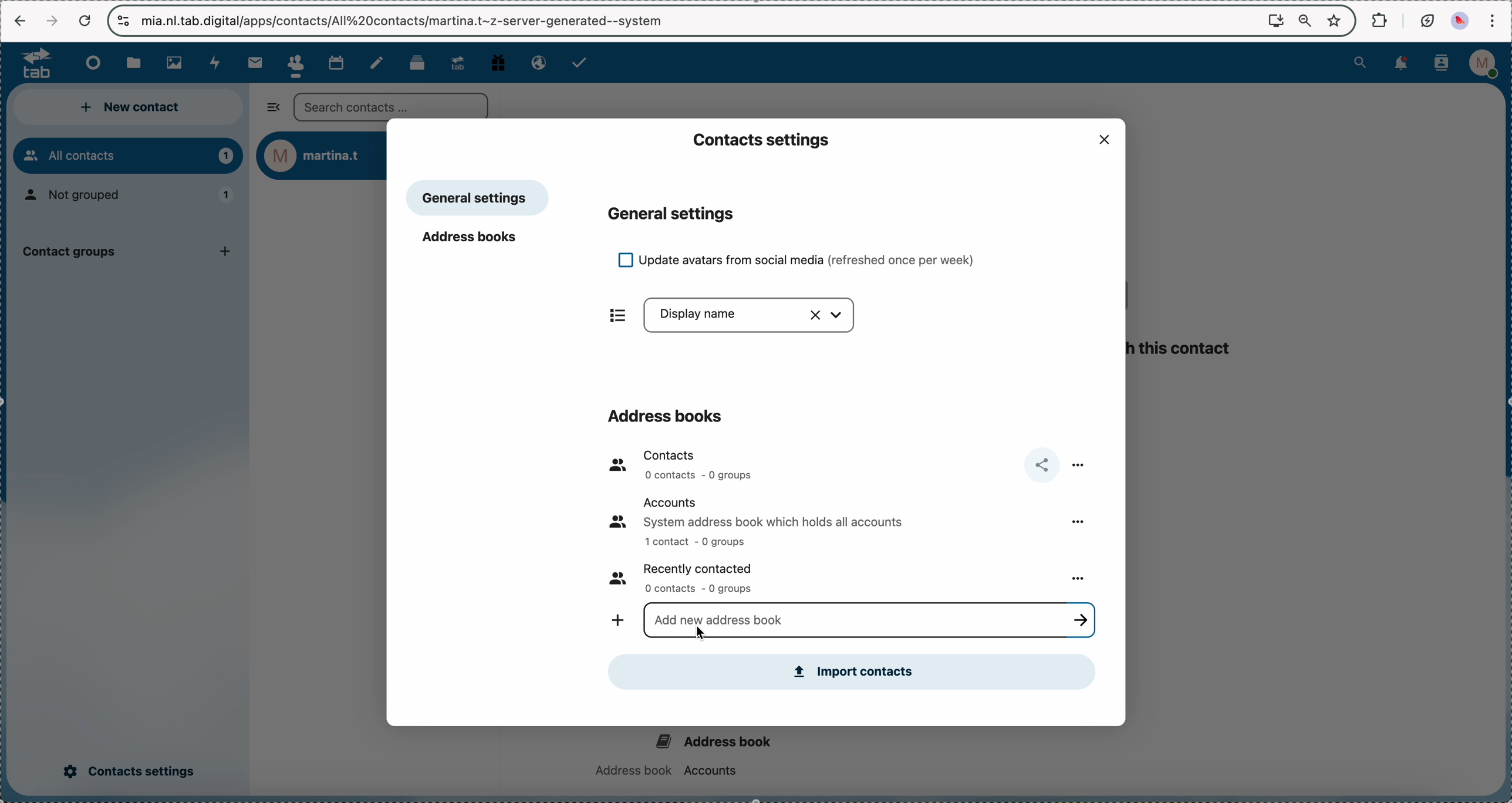 The height and width of the screenshot is (803, 1512). I want to click on mail, so click(254, 63).